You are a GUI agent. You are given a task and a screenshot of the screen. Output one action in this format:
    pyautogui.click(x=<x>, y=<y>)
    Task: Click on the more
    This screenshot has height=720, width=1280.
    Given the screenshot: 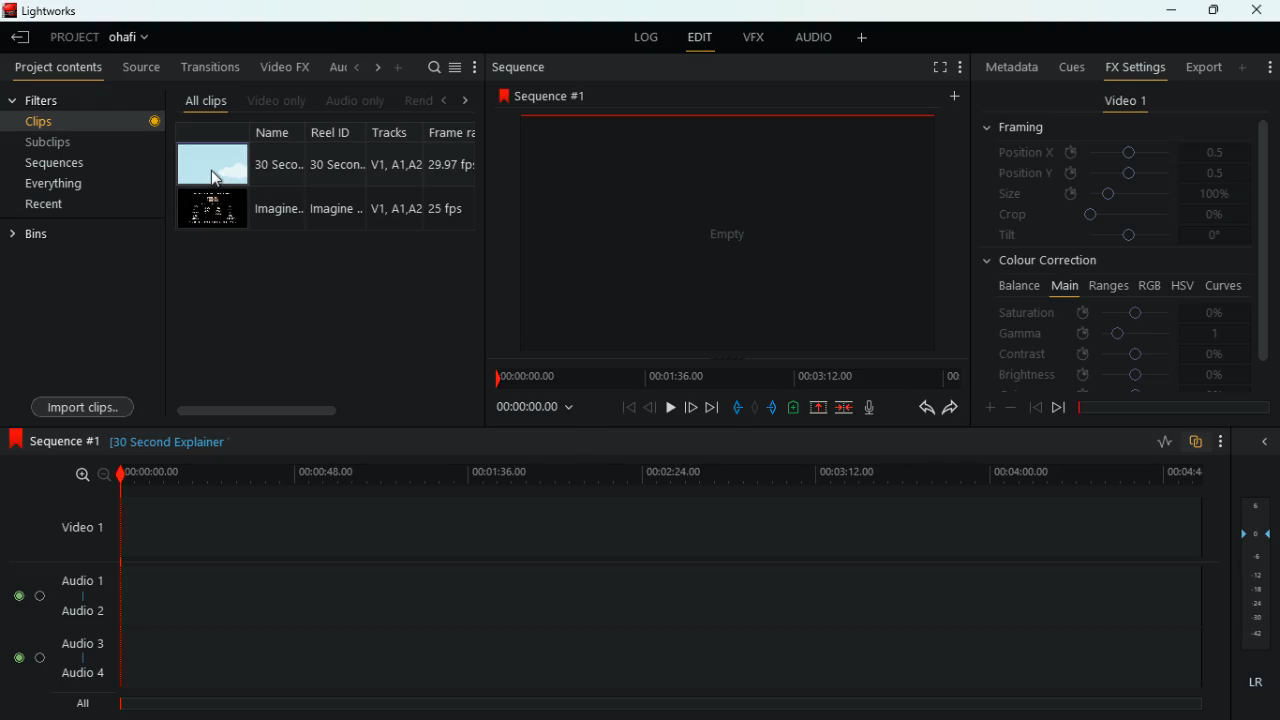 What is the action you would take?
    pyautogui.click(x=951, y=99)
    